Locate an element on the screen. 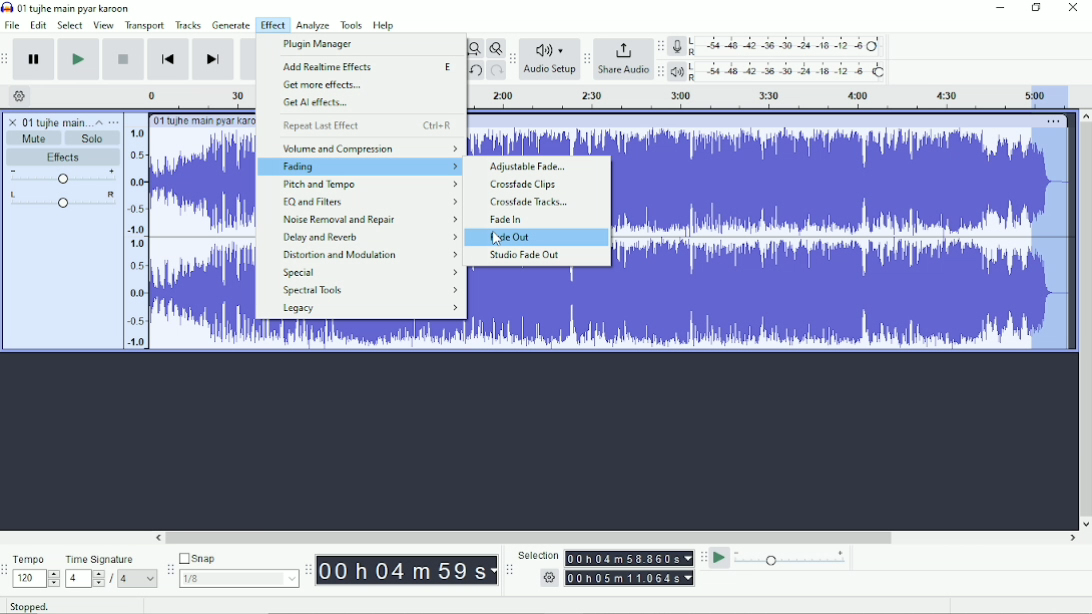 Image resolution: width=1092 pixels, height=614 pixels. Audacity selection toolbar is located at coordinates (509, 569).